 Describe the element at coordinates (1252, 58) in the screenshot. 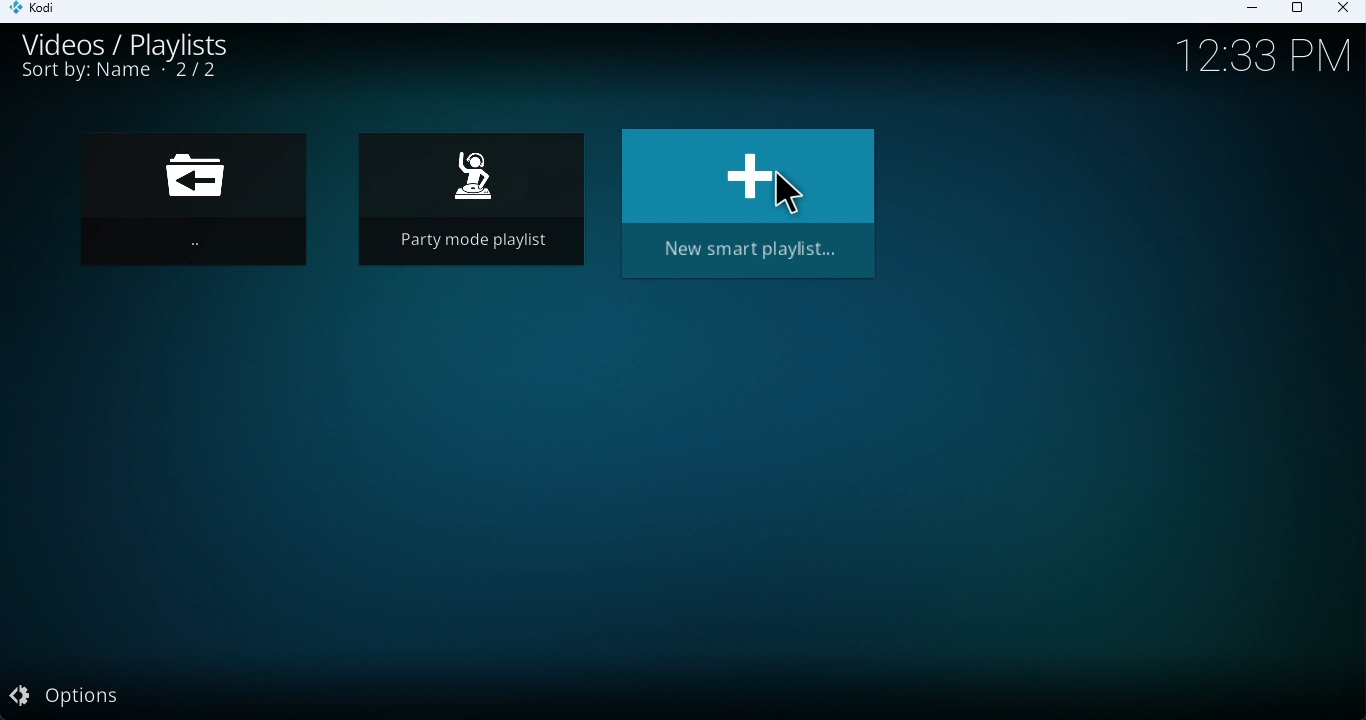

I see `Time` at that location.